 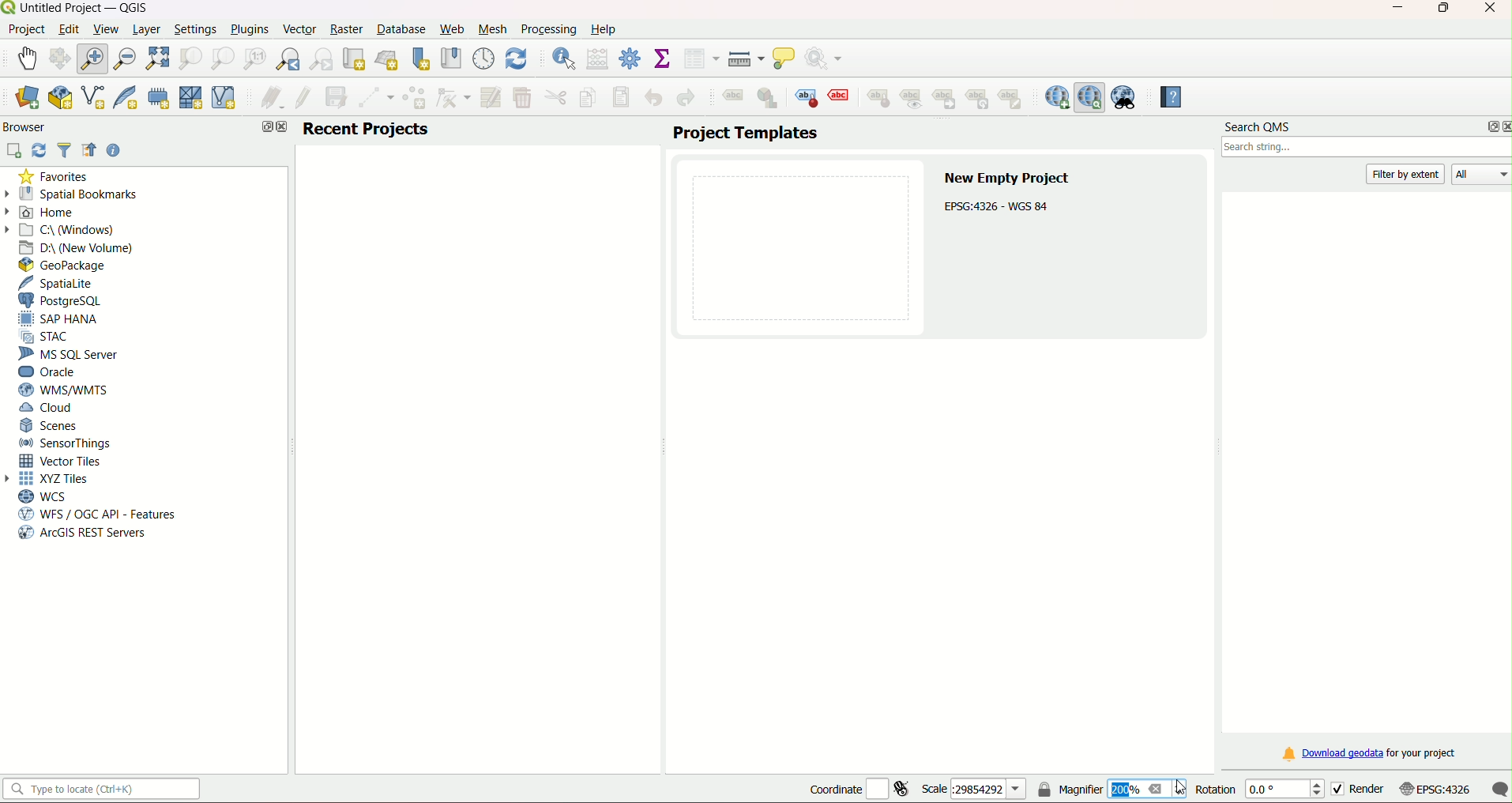 I want to click on new empty project, so click(x=1009, y=179).